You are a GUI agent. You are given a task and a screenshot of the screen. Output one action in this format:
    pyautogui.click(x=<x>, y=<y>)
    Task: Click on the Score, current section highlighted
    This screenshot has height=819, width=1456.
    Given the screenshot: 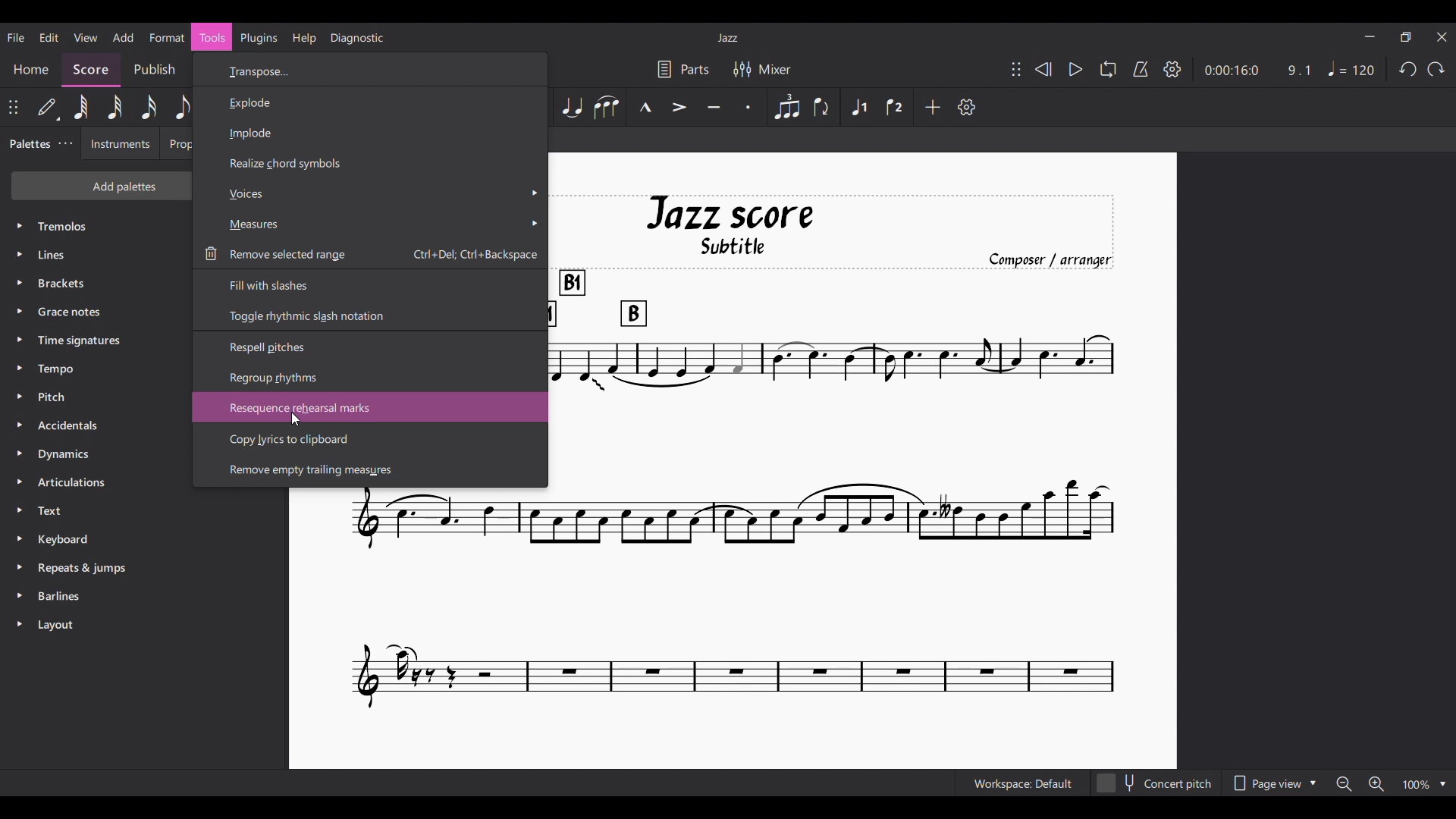 What is the action you would take?
    pyautogui.click(x=91, y=71)
    